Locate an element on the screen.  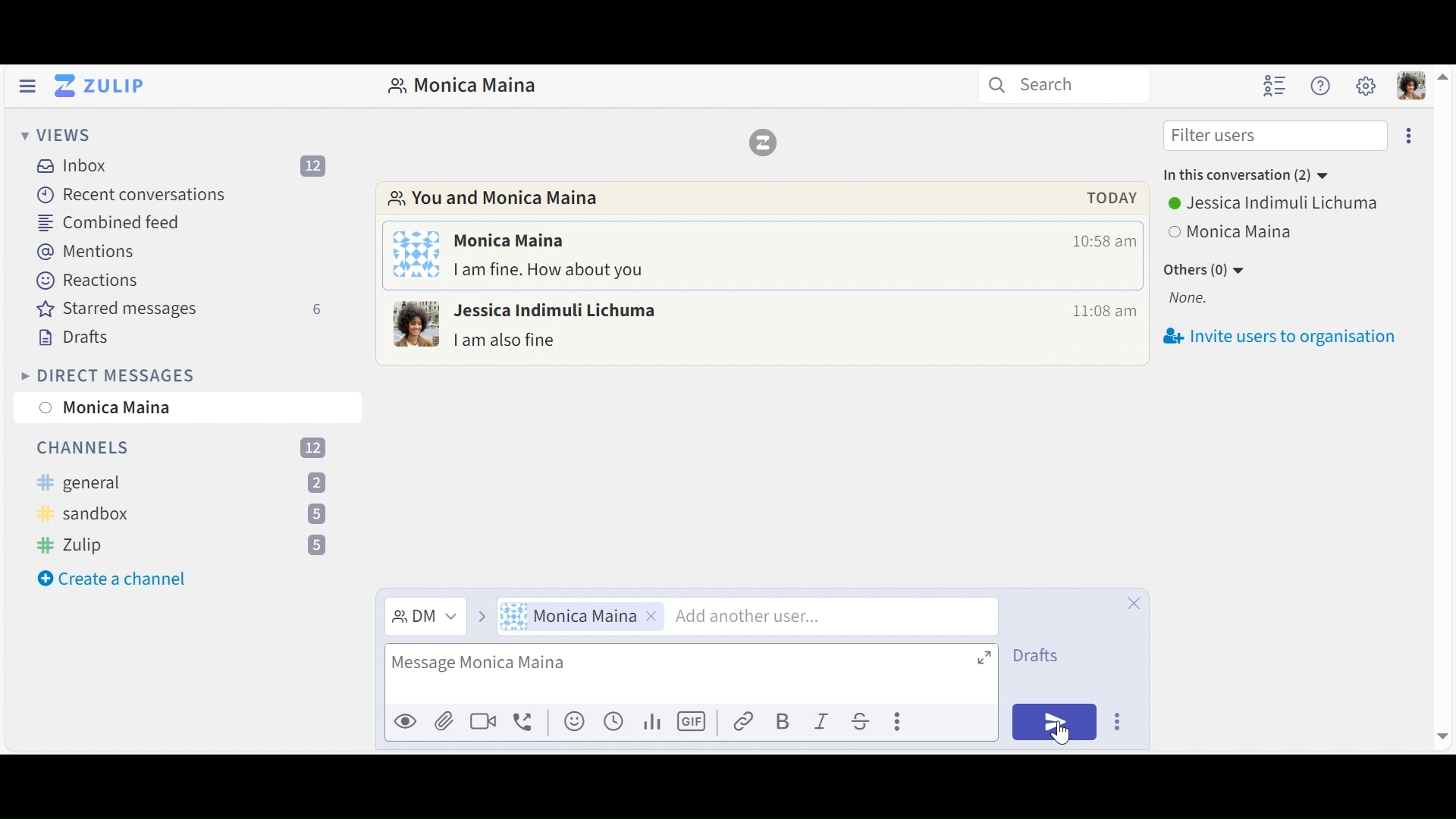
Add emoji is located at coordinates (576, 722).